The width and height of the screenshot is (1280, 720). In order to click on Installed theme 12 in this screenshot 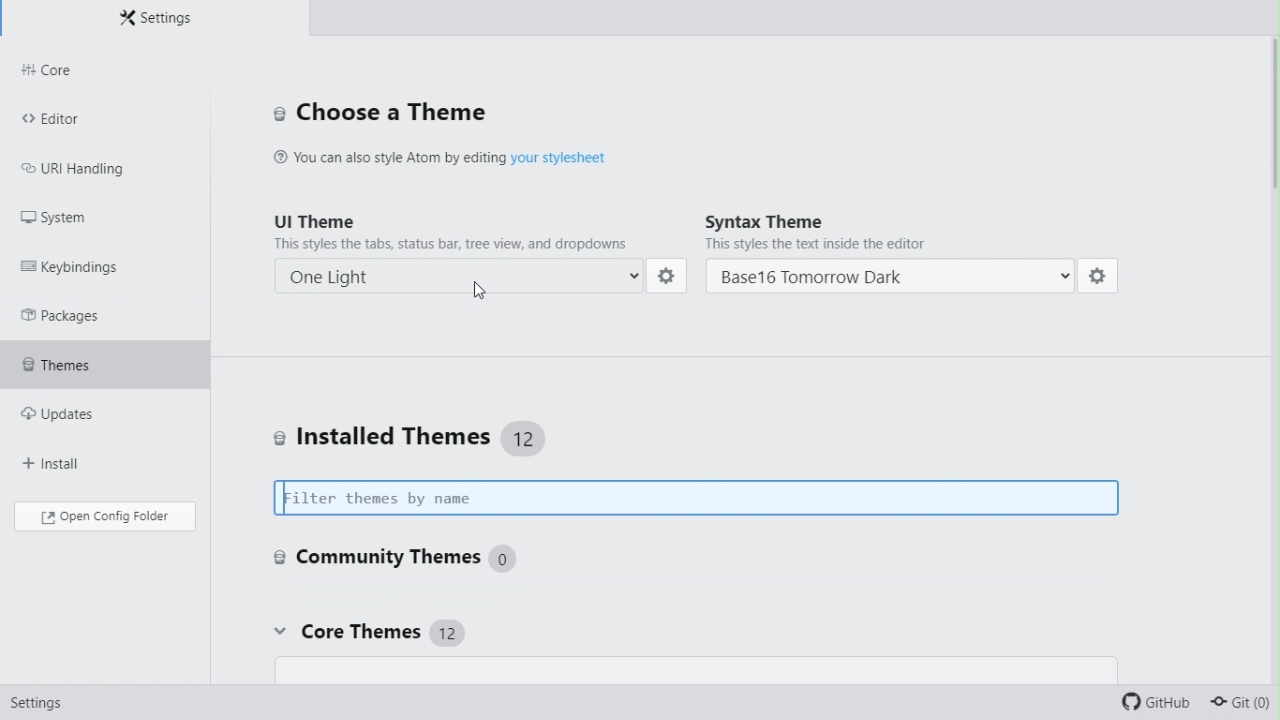, I will do `click(422, 437)`.